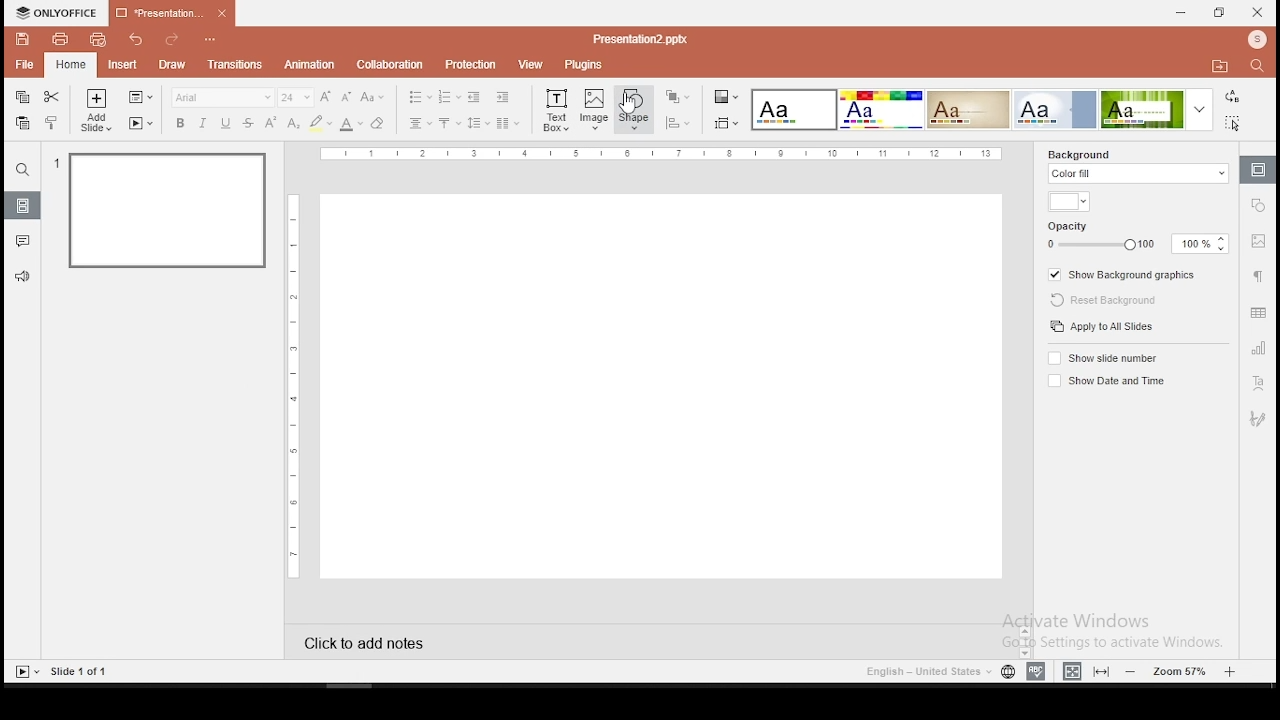 Image resolution: width=1280 pixels, height=720 pixels. I want to click on slide 1, so click(170, 213).